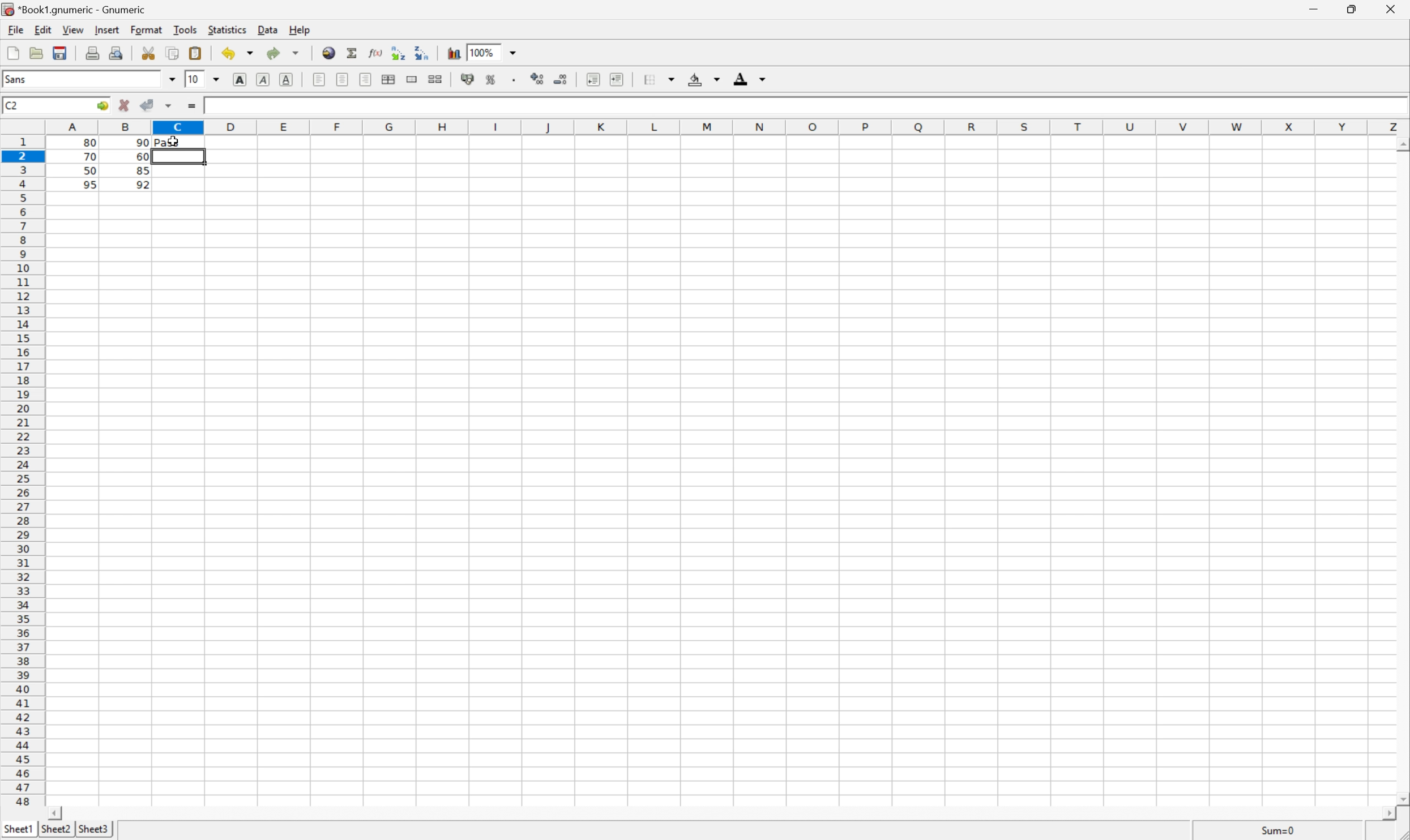 The height and width of the screenshot is (840, 1410). What do you see at coordinates (93, 140) in the screenshot?
I see `80` at bounding box center [93, 140].